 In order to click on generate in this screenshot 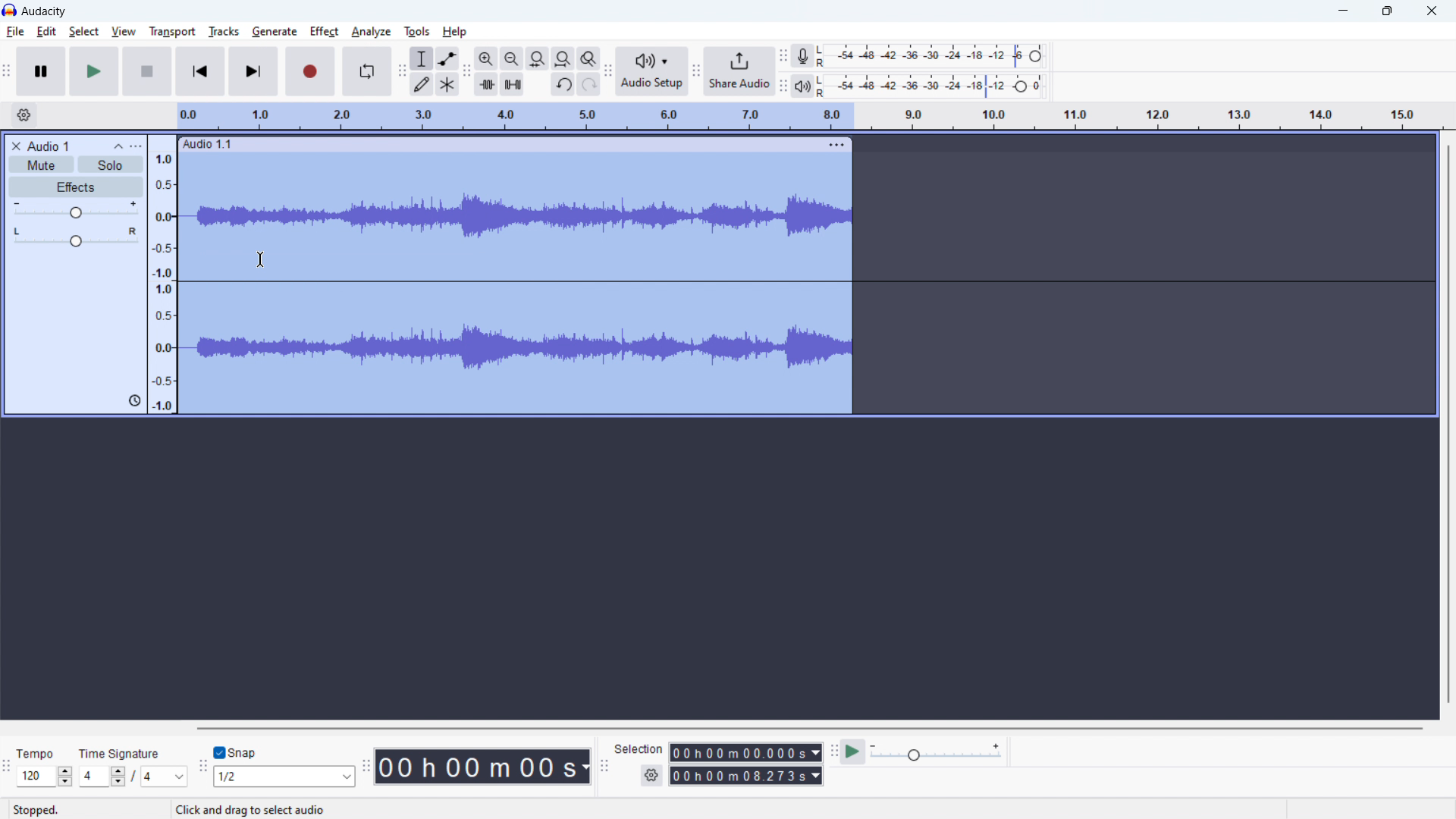, I will do `click(275, 32)`.